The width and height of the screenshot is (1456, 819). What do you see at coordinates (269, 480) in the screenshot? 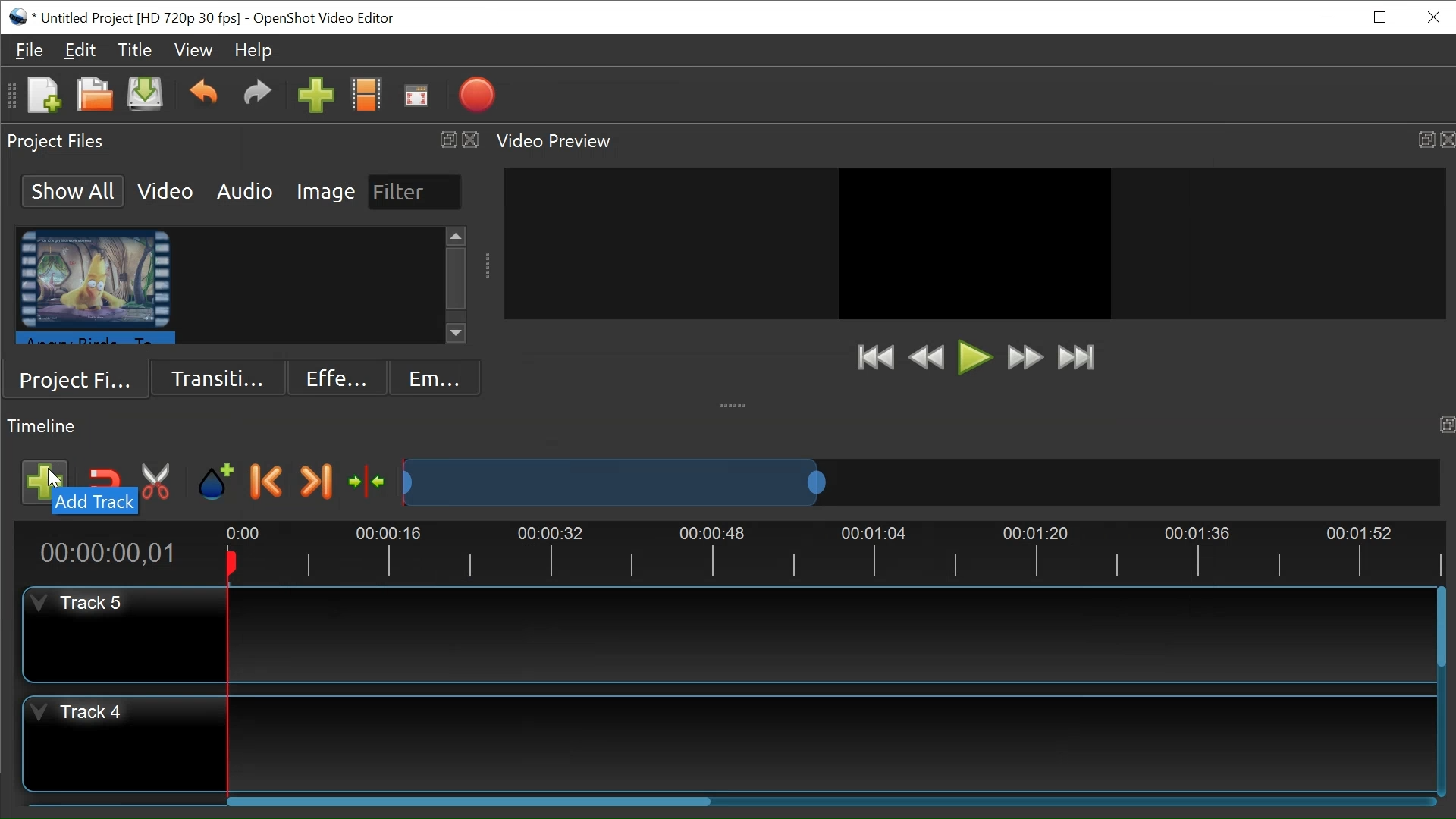
I see `Previous marker` at bounding box center [269, 480].